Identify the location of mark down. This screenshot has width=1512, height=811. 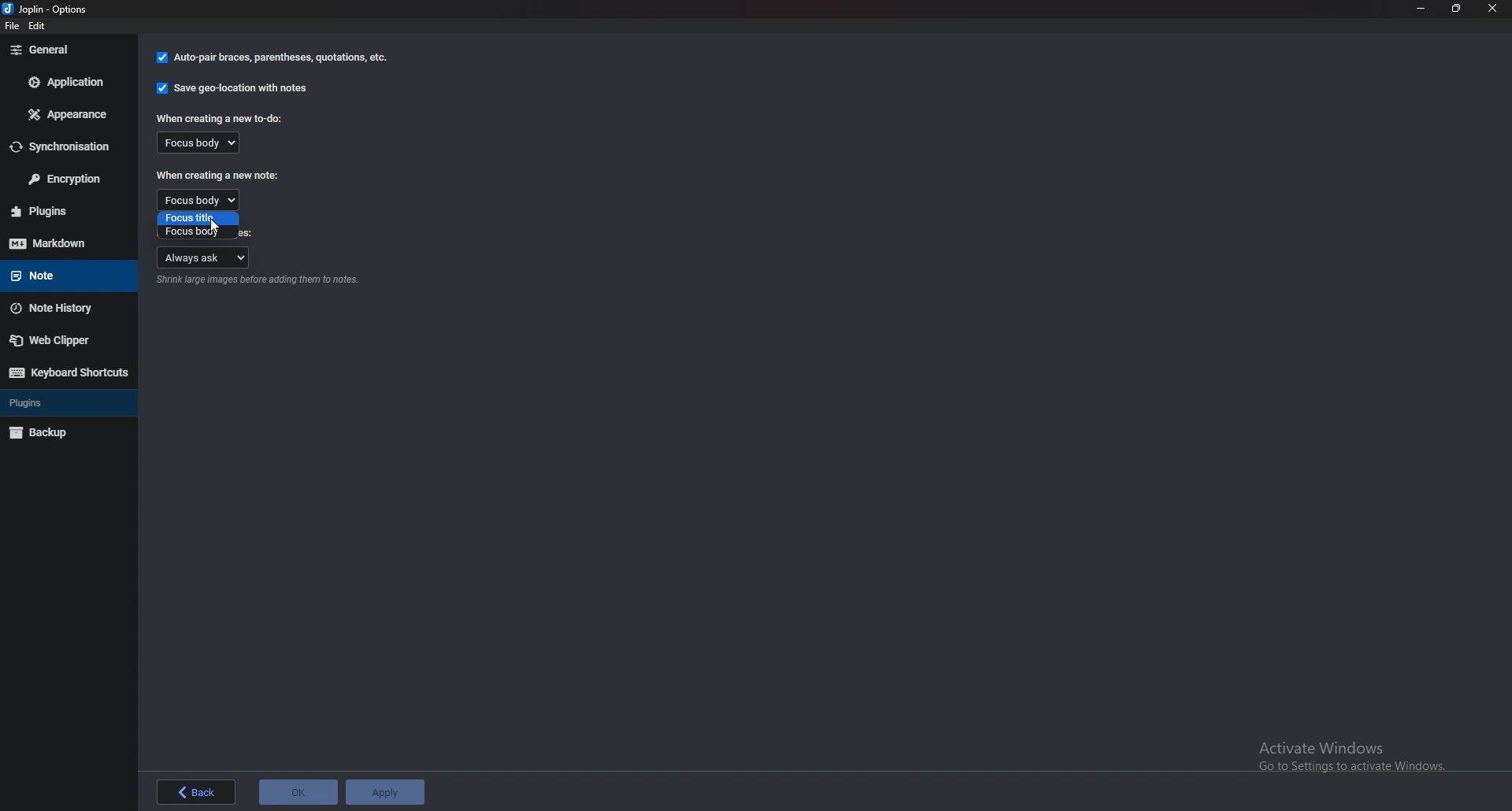
(66, 243).